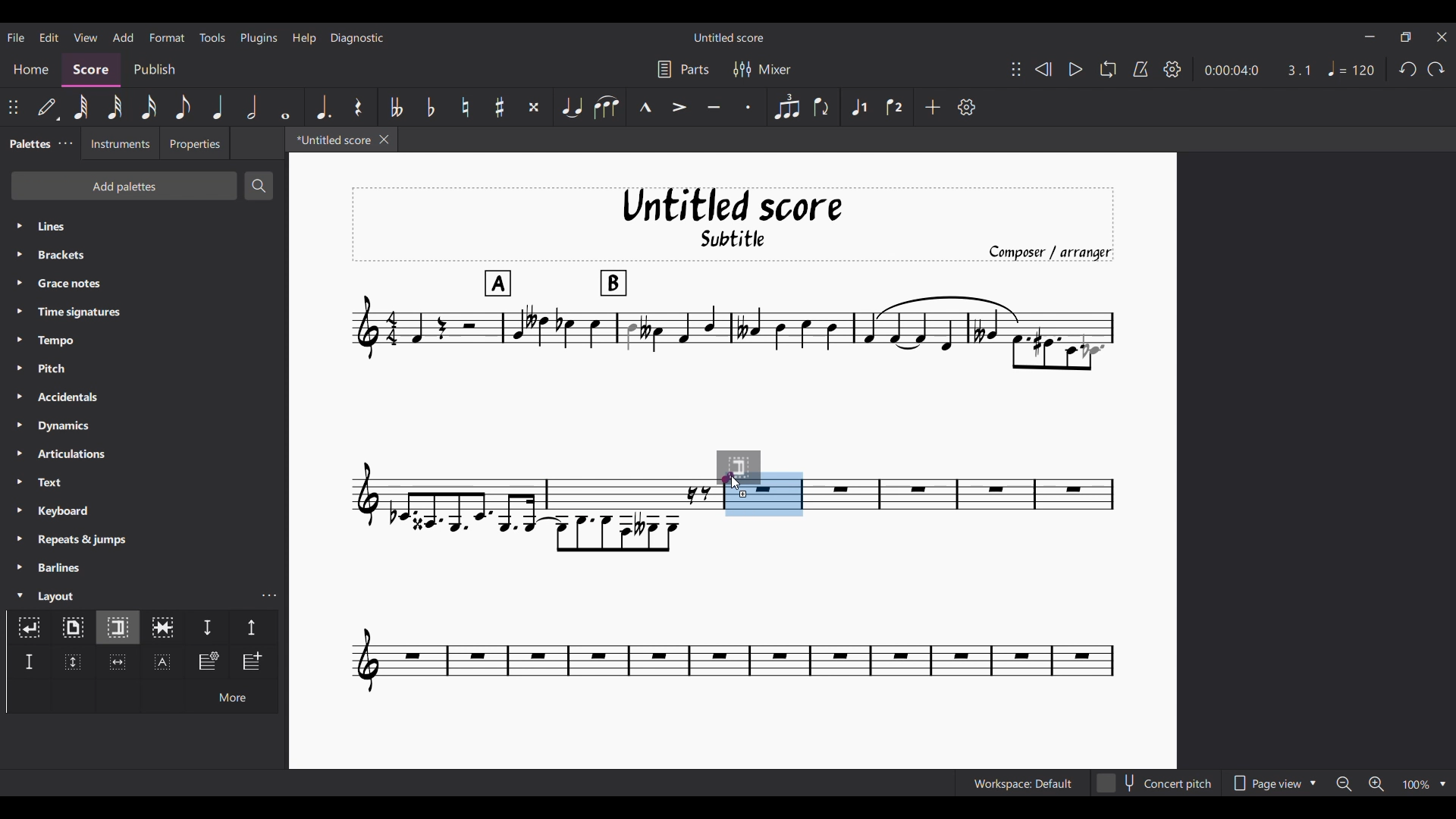 The width and height of the screenshot is (1456, 819). What do you see at coordinates (91, 70) in the screenshot?
I see `Score, current section highlighted` at bounding box center [91, 70].